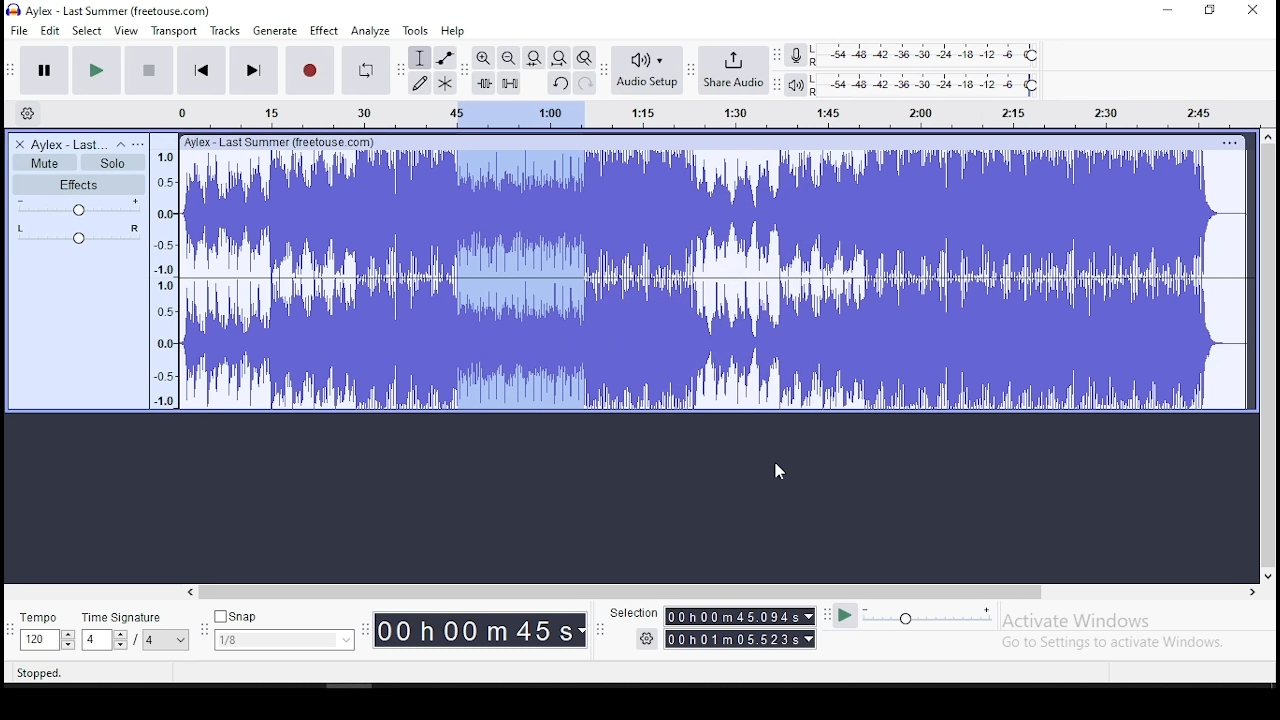  I want to click on time signature, so click(136, 633).